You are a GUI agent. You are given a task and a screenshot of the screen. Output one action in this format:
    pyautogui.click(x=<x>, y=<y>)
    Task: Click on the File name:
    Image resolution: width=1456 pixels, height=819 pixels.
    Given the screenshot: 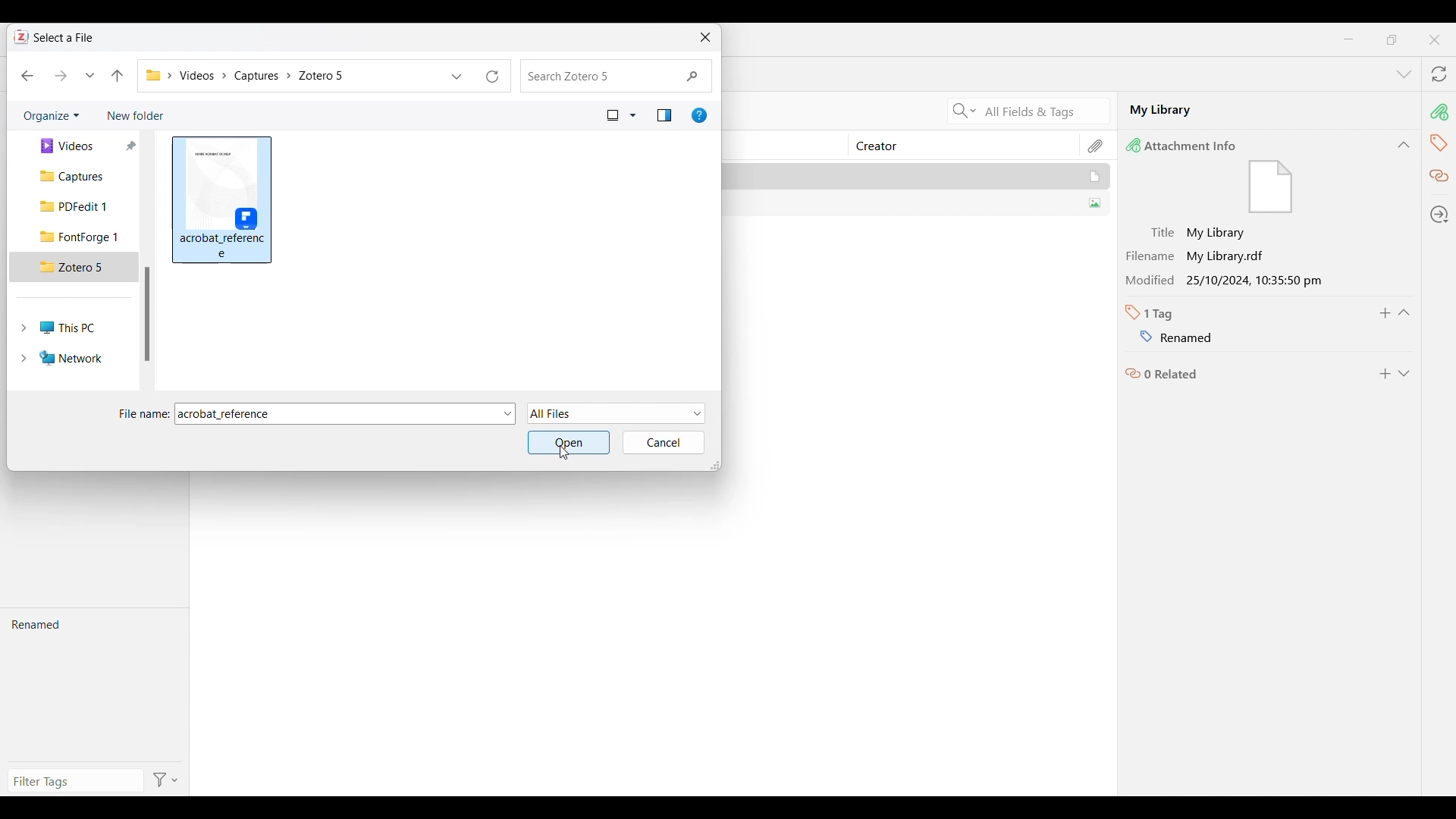 What is the action you would take?
    pyautogui.click(x=138, y=413)
    